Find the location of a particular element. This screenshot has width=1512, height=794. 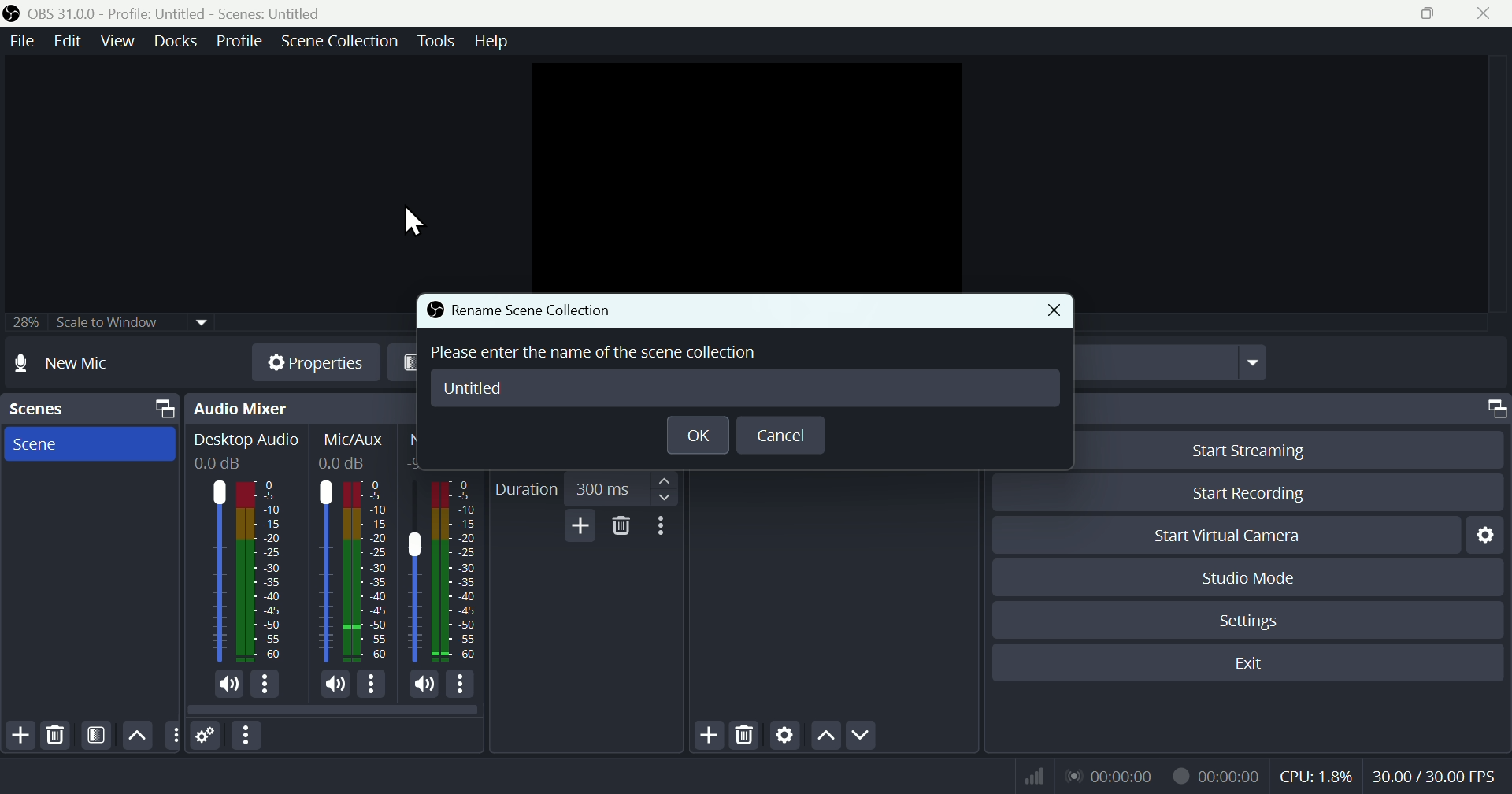

Filter is located at coordinates (98, 736).